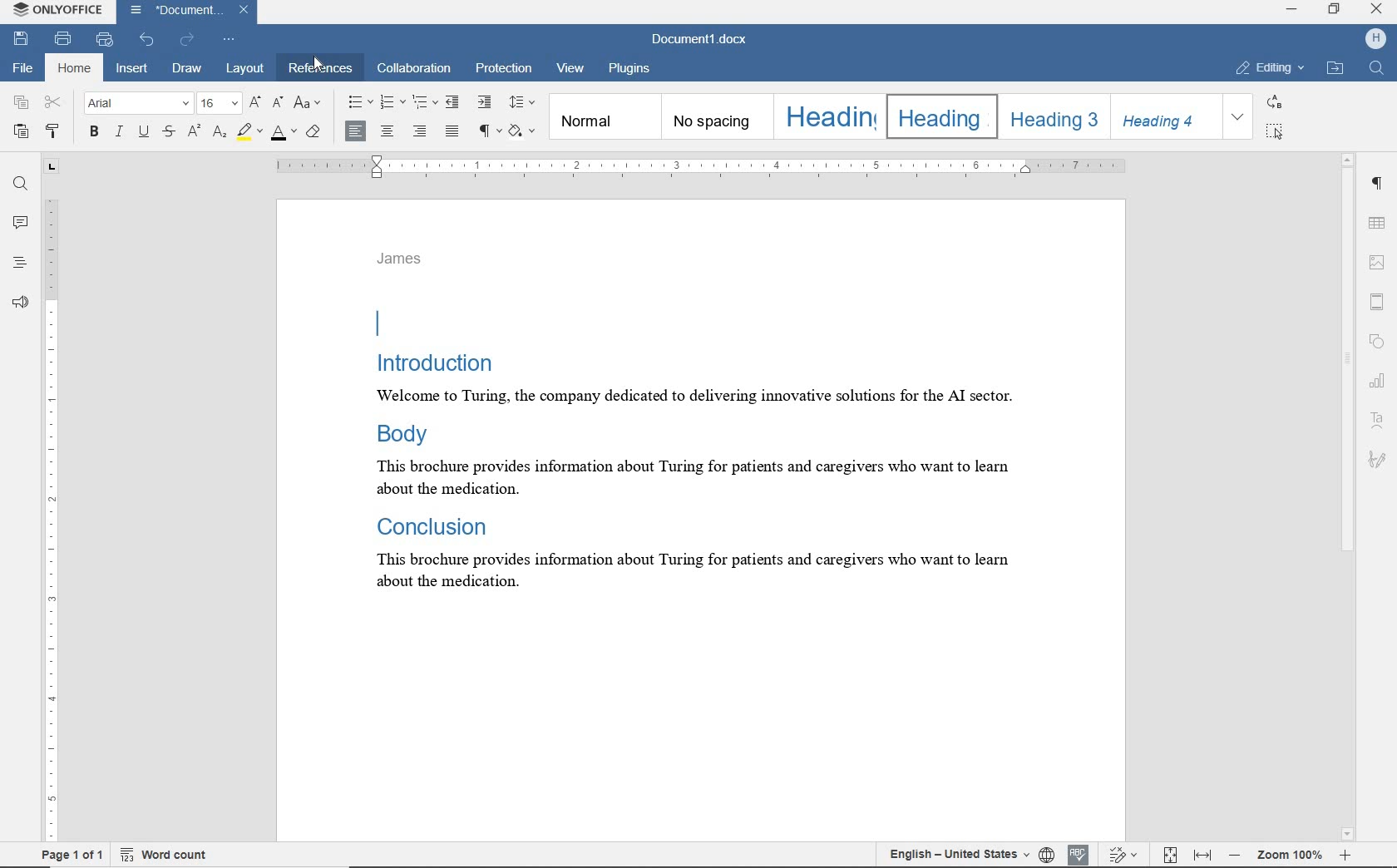 The image size is (1397, 868). What do you see at coordinates (488, 133) in the screenshot?
I see `nonprinting characters` at bounding box center [488, 133].